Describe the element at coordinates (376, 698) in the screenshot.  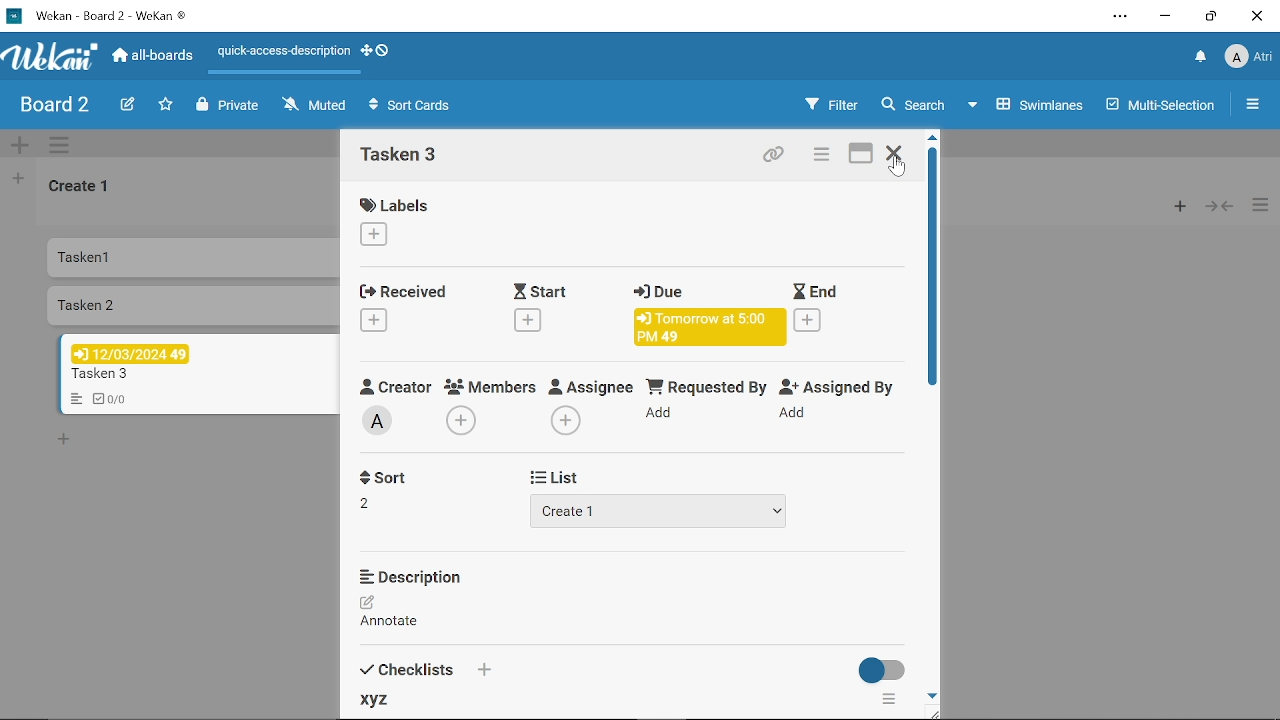
I see `xyz` at that location.